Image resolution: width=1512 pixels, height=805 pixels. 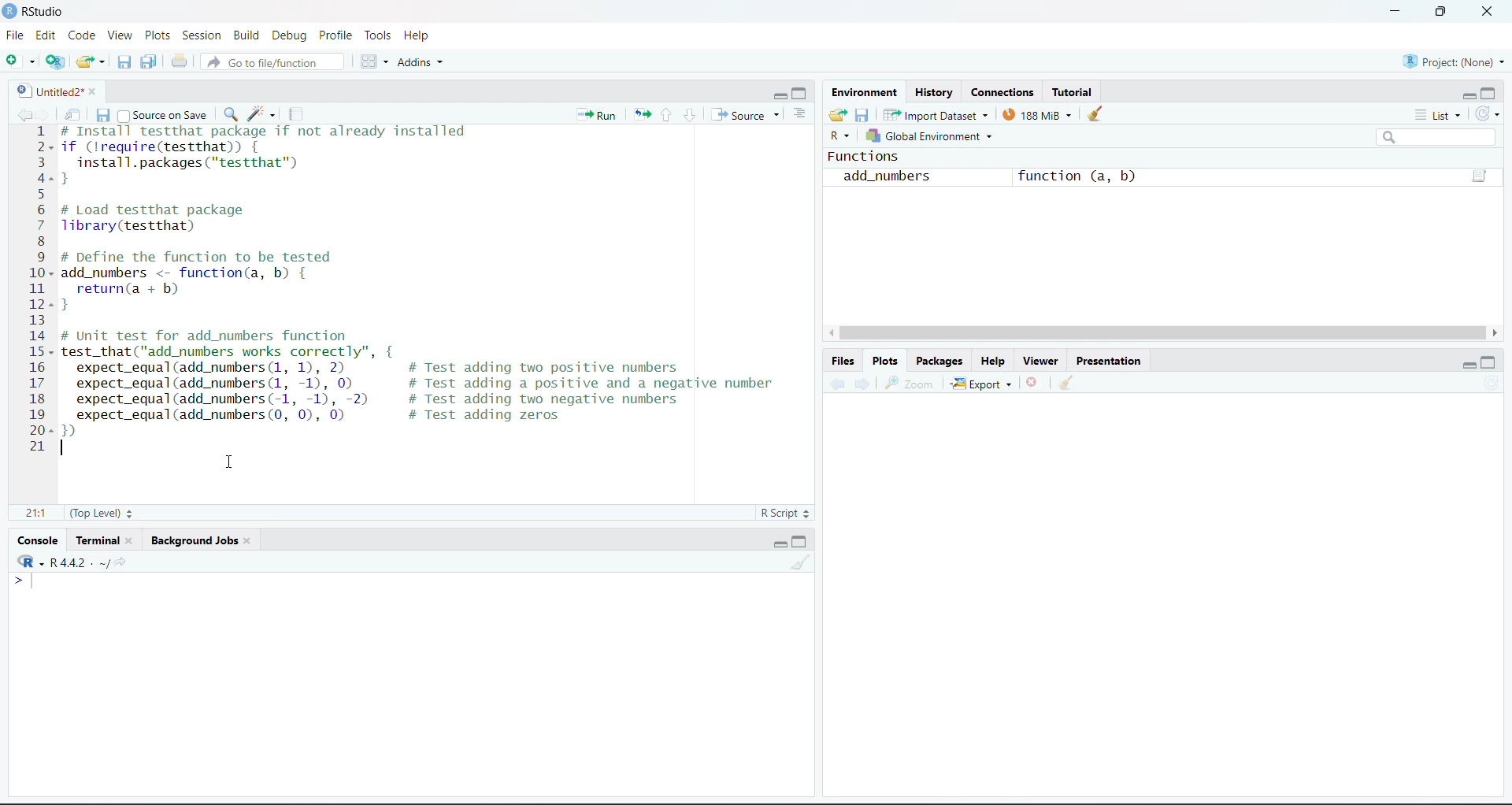 What do you see at coordinates (802, 93) in the screenshot?
I see `maximize` at bounding box center [802, 93].